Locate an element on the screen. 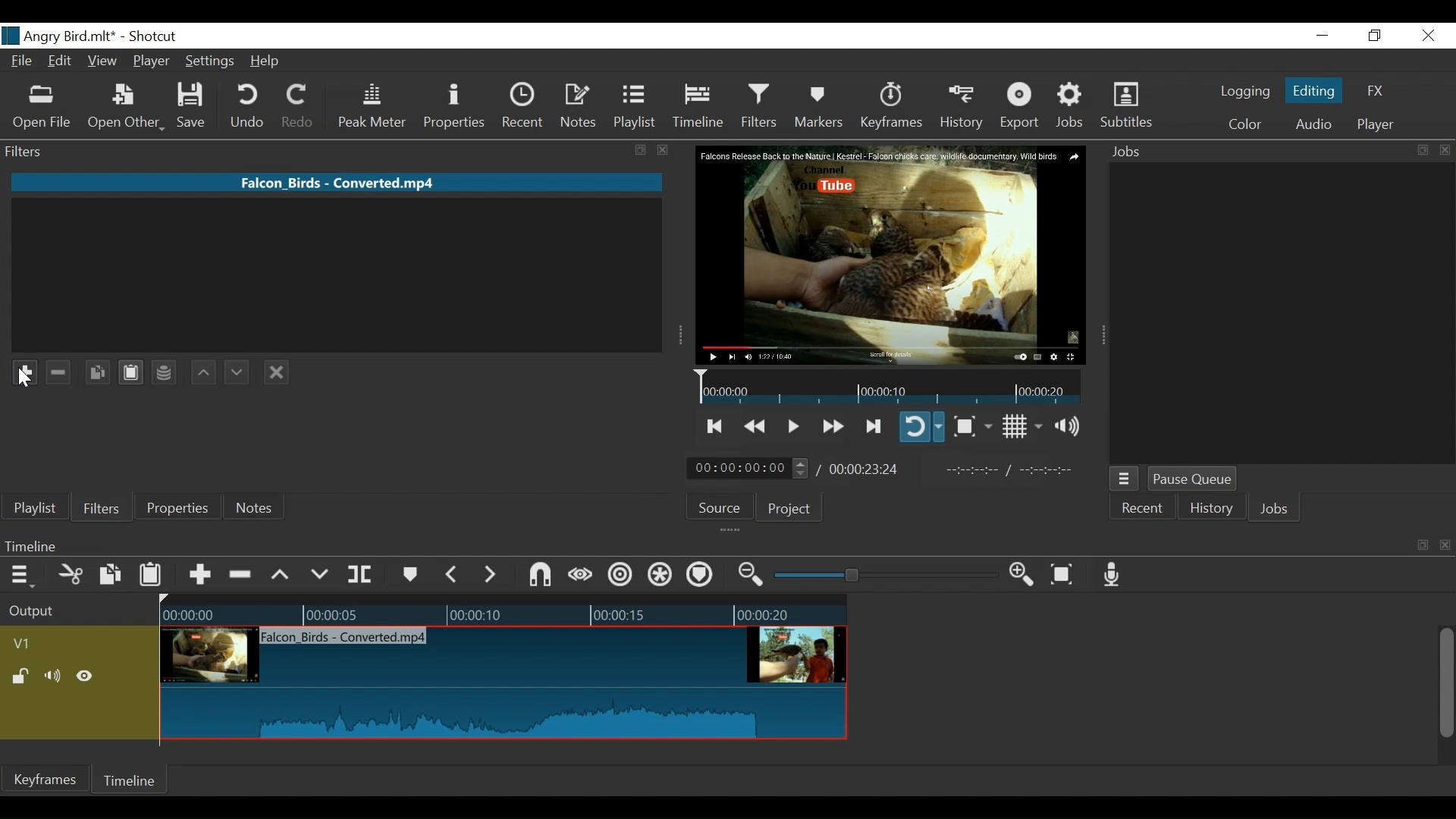 This screenshot has width=1456, height=819. Skip to the previous point is located at coordinates (716, 426).